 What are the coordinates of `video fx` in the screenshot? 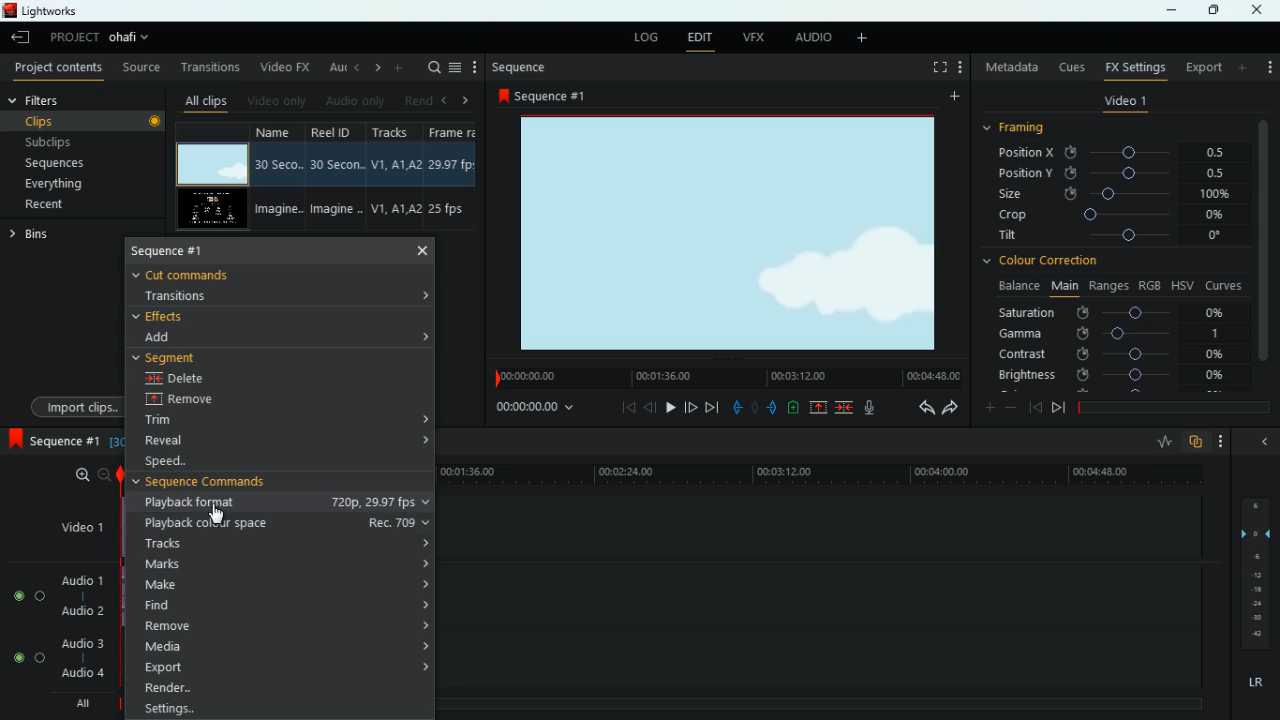 It's located at (286, 68).